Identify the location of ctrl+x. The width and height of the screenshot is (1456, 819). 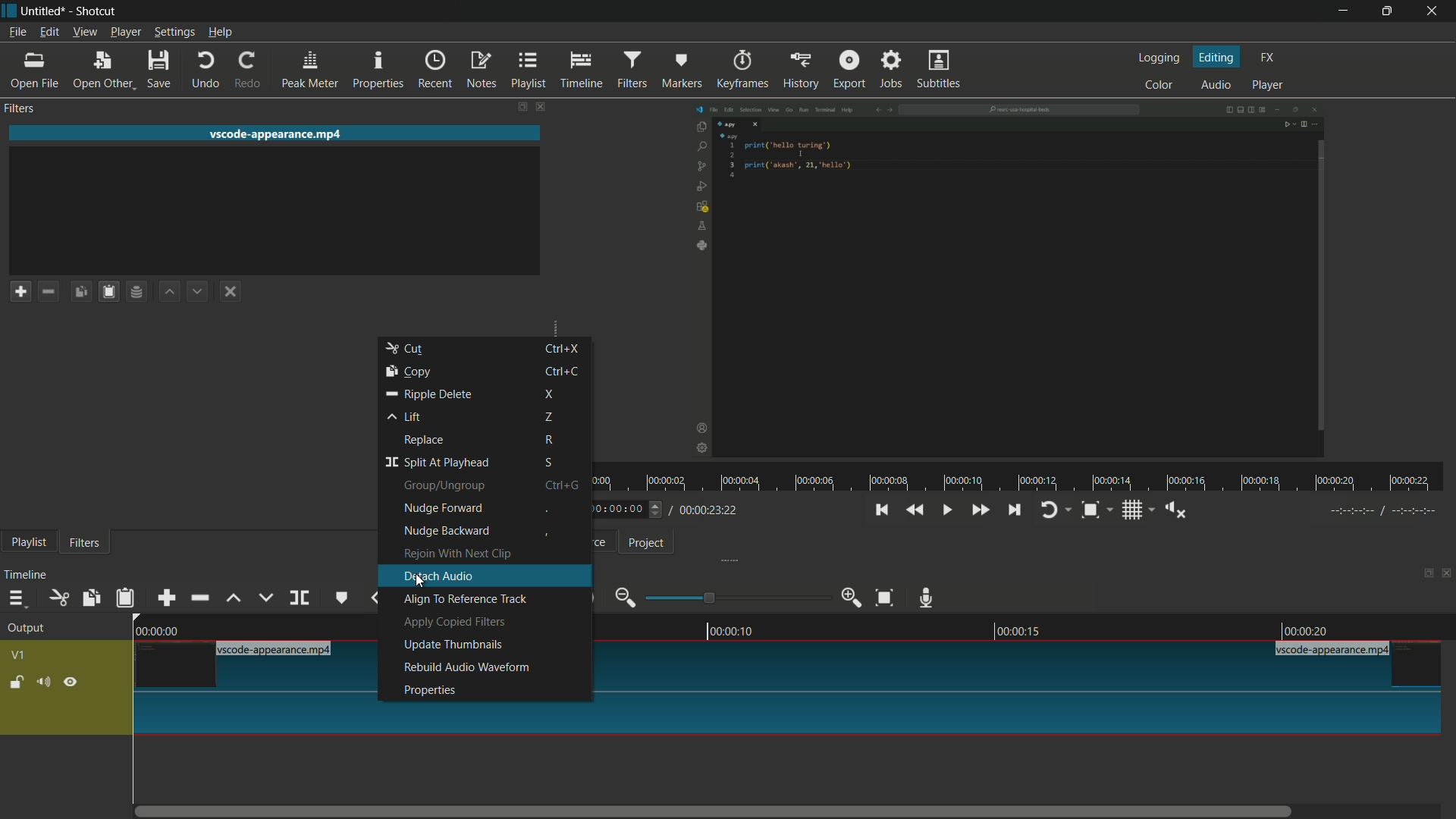
(561, 347).